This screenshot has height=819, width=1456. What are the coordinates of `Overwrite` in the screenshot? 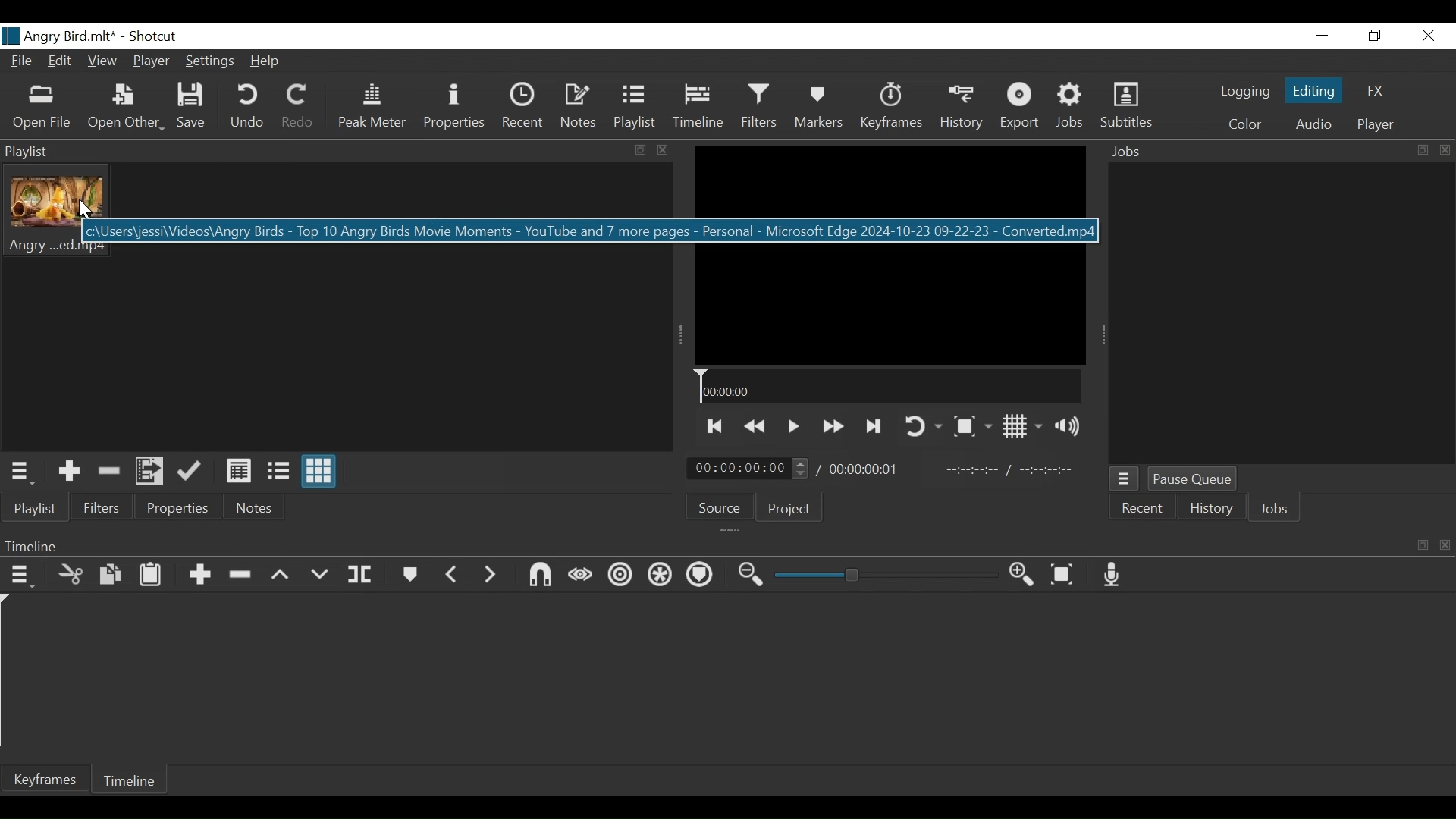 It's located at (318, 576).